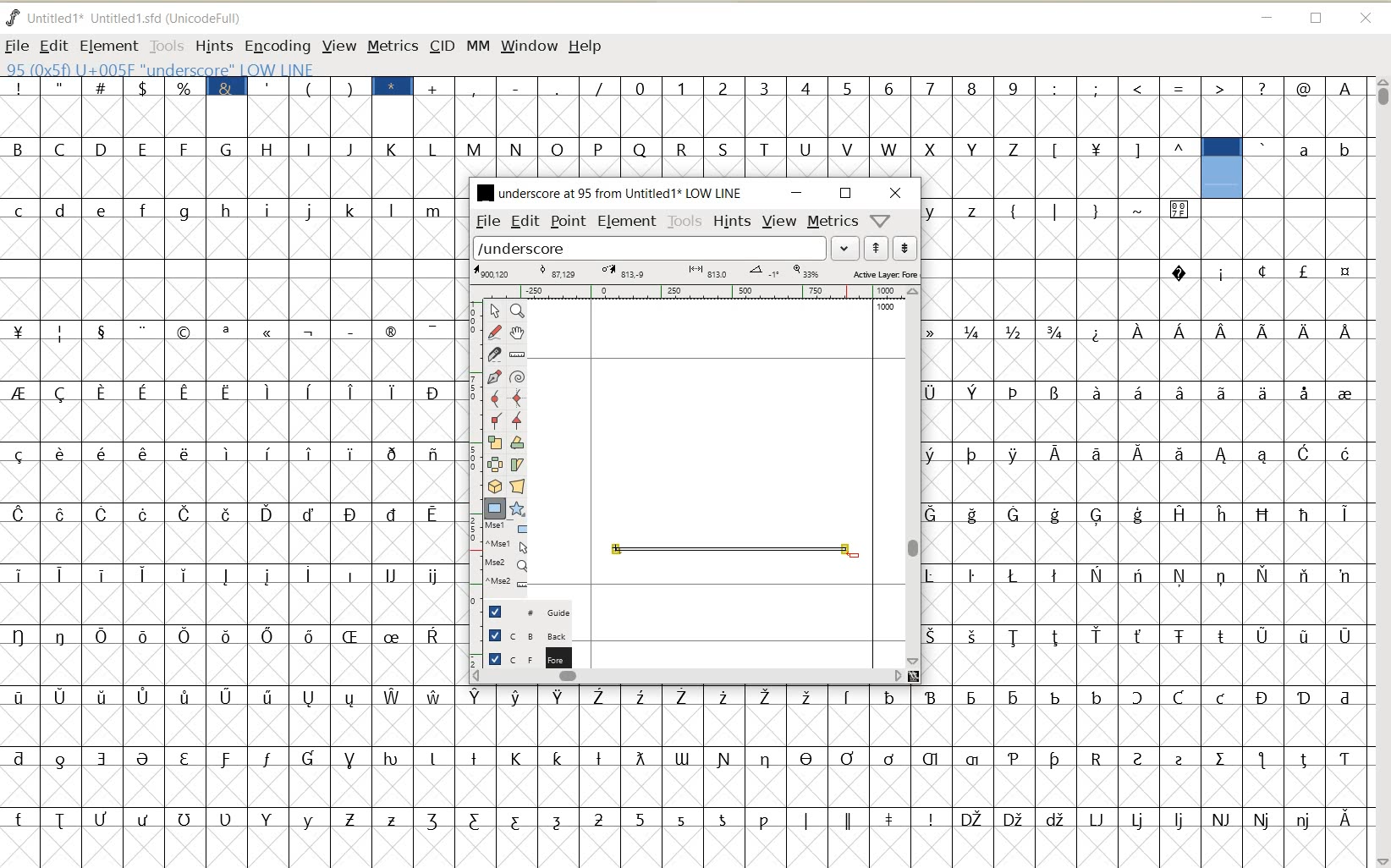 This screenshot has width=1391, height=868. What do you see at coordinates (496, 420) in the screenshot?
I see `Add a corner point` at bounding box center [496, 420].